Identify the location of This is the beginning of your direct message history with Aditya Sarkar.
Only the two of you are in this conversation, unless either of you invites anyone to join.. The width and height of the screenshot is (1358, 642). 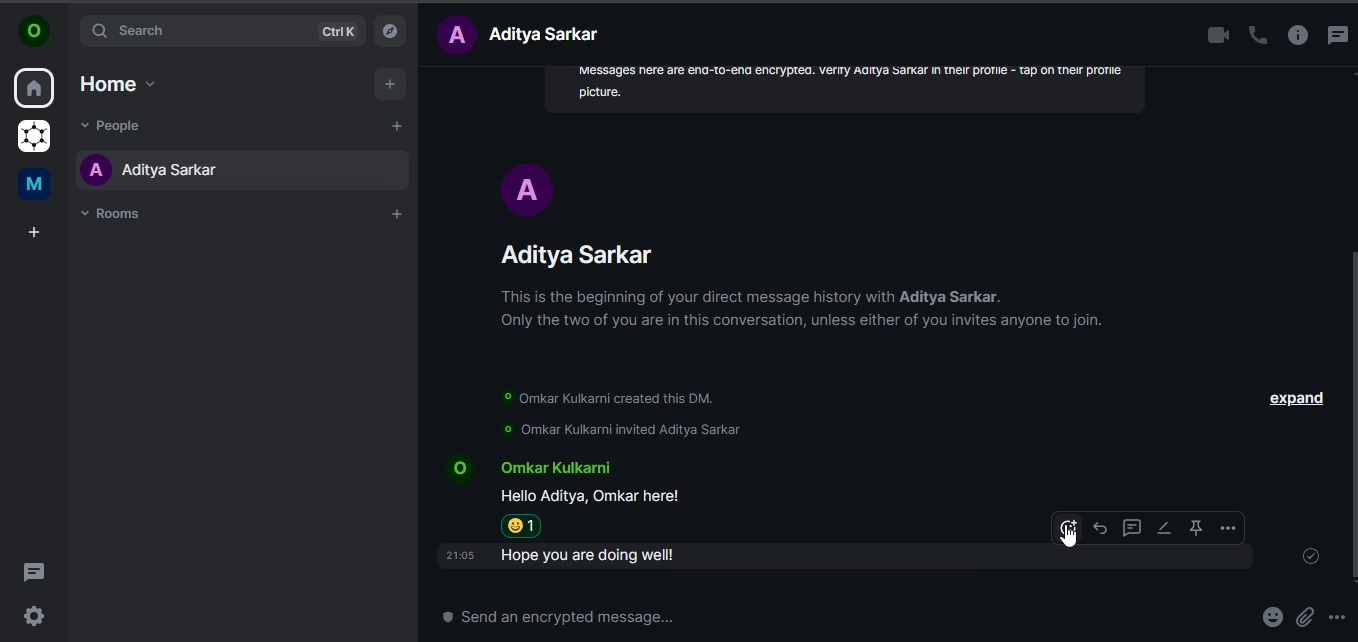
(804, 310).